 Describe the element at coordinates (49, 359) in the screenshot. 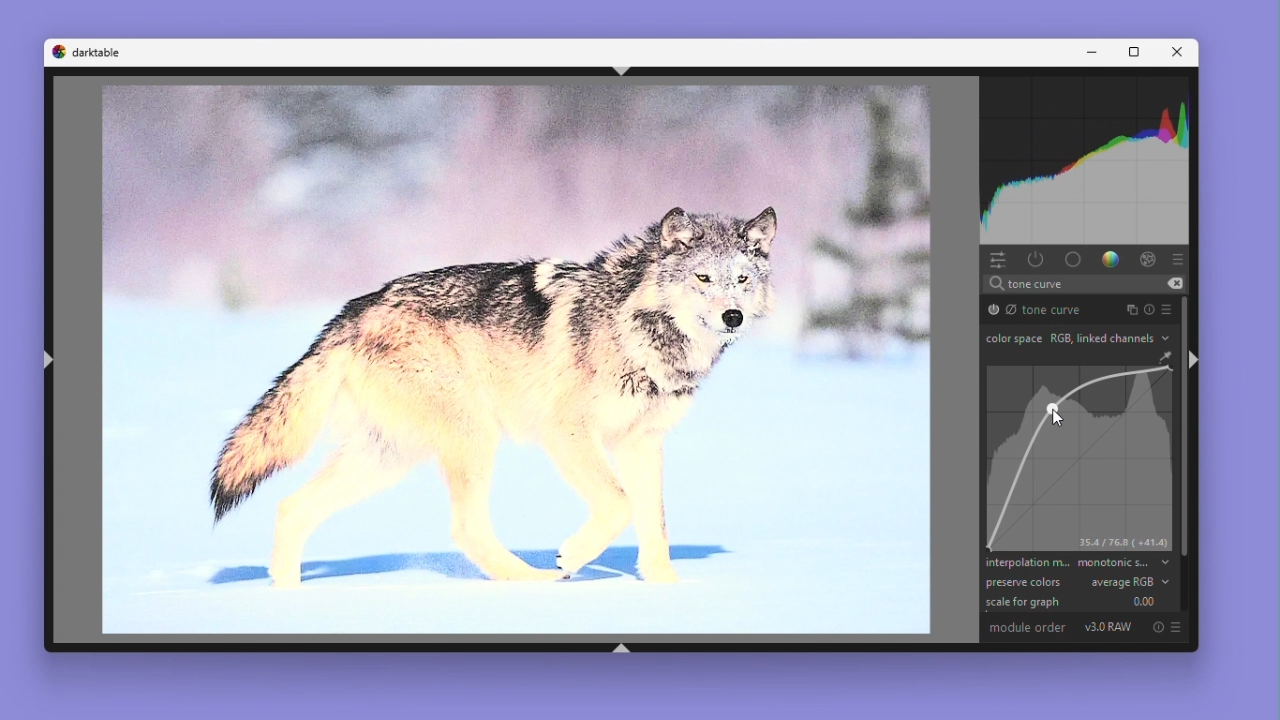

I see `shift+ctrl+l` at that location.